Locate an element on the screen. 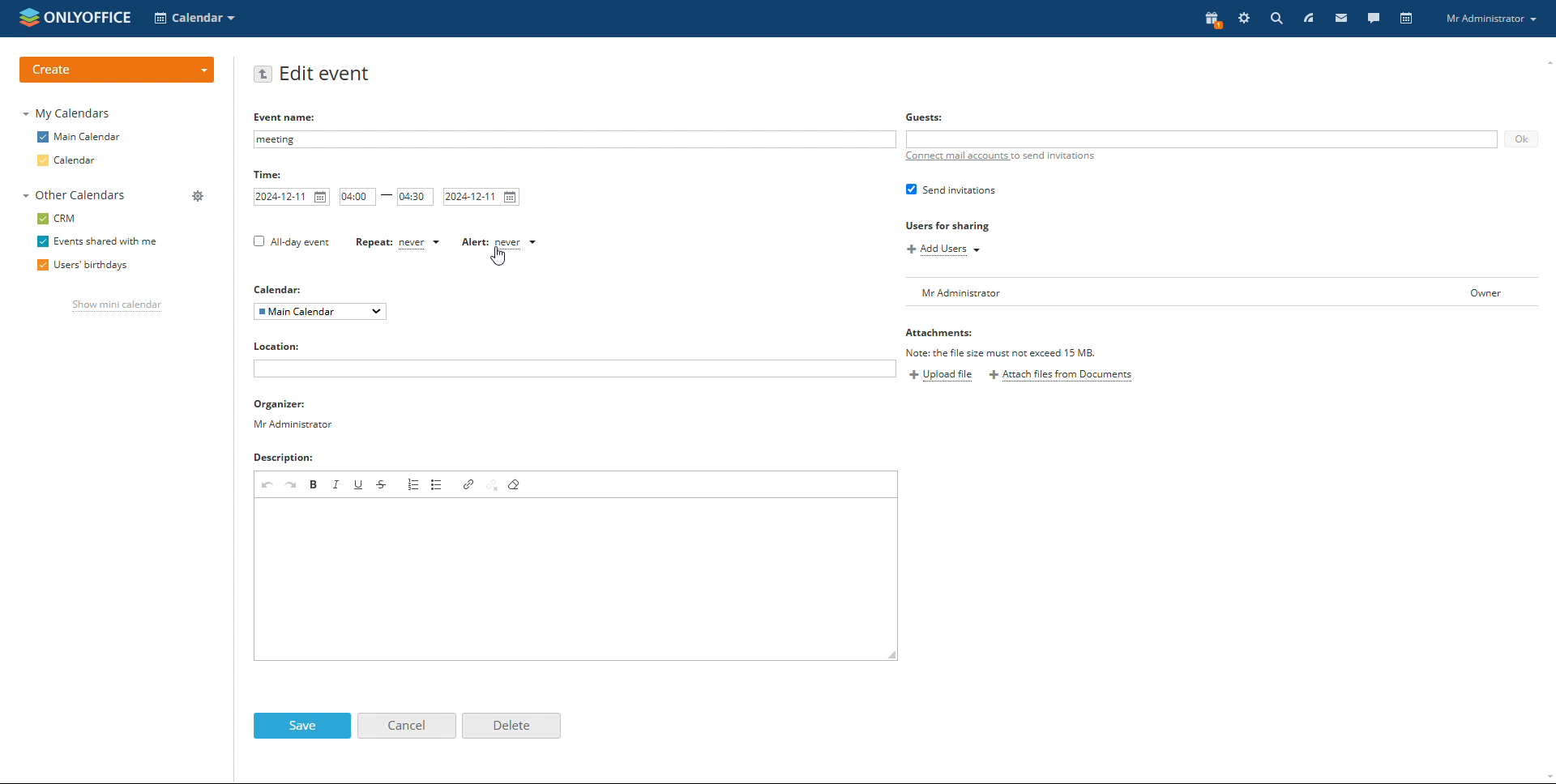  add users is located at coordinates (942, 250).